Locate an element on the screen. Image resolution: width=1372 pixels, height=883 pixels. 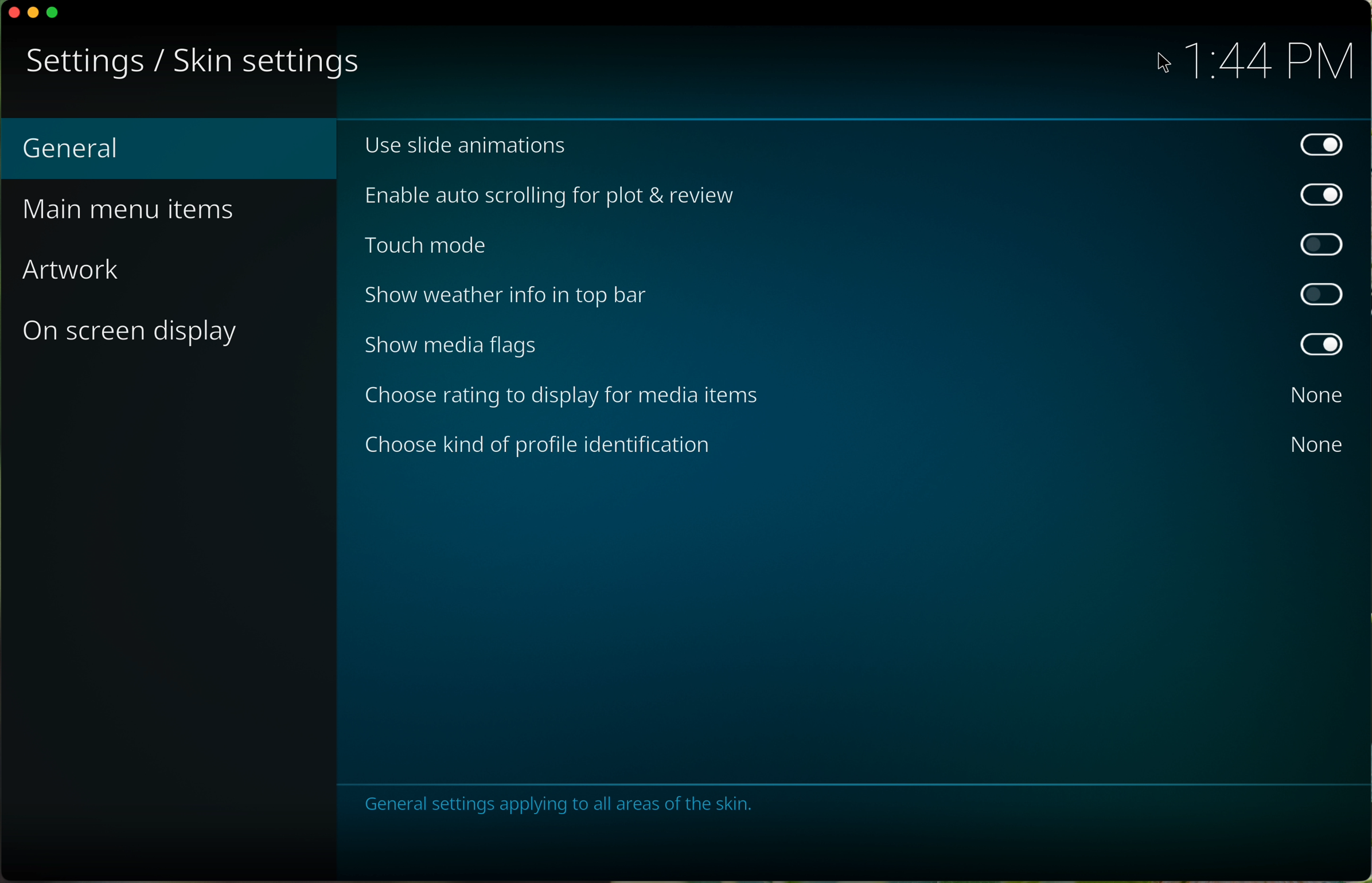
hour is located at coordinates (1267, 63).